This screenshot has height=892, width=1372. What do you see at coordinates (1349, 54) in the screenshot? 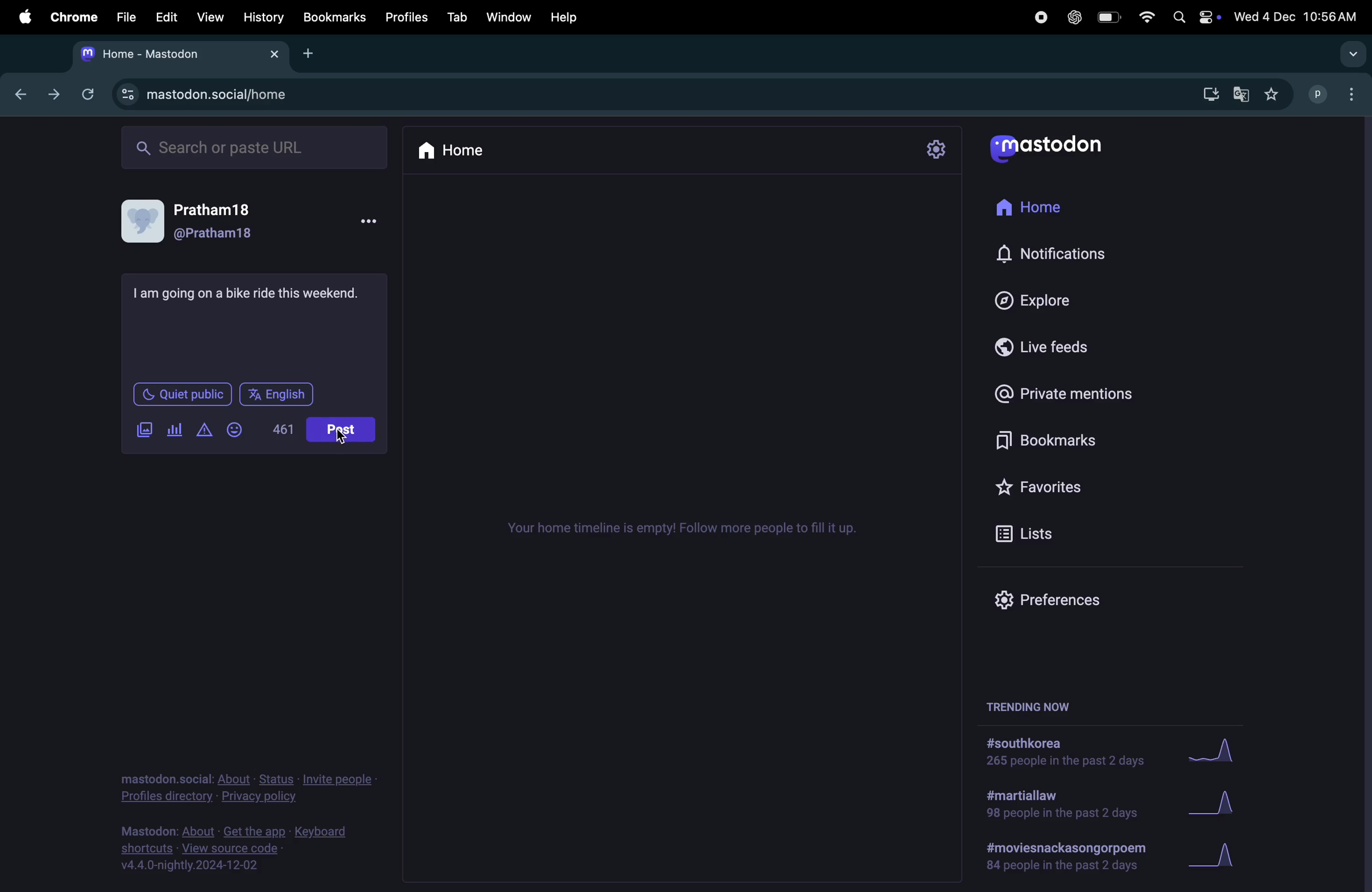
I see `drop down` at bounding box center [1349, 54].